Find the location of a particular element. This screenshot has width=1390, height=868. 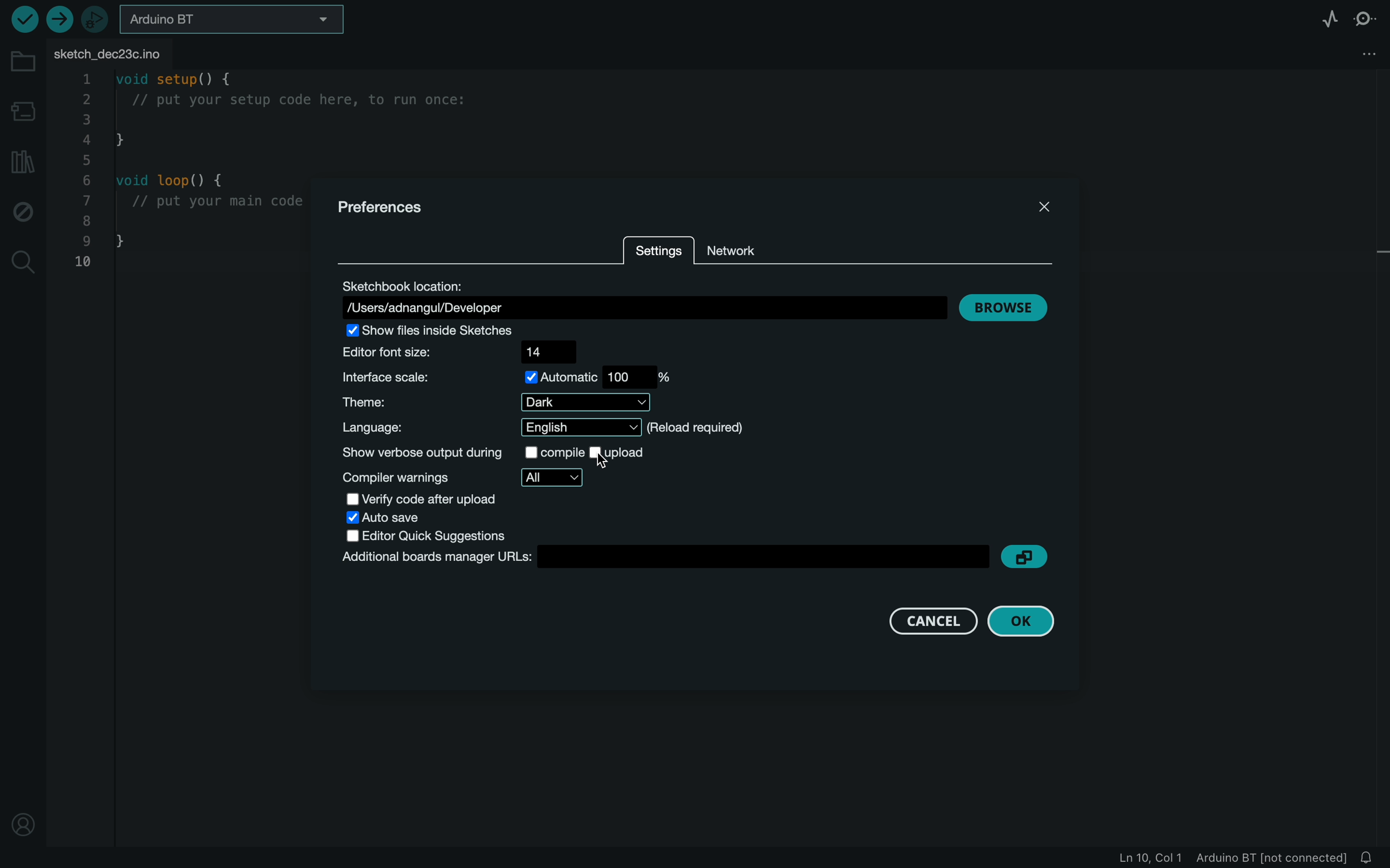

preferences is located at coordinates (394, 204).